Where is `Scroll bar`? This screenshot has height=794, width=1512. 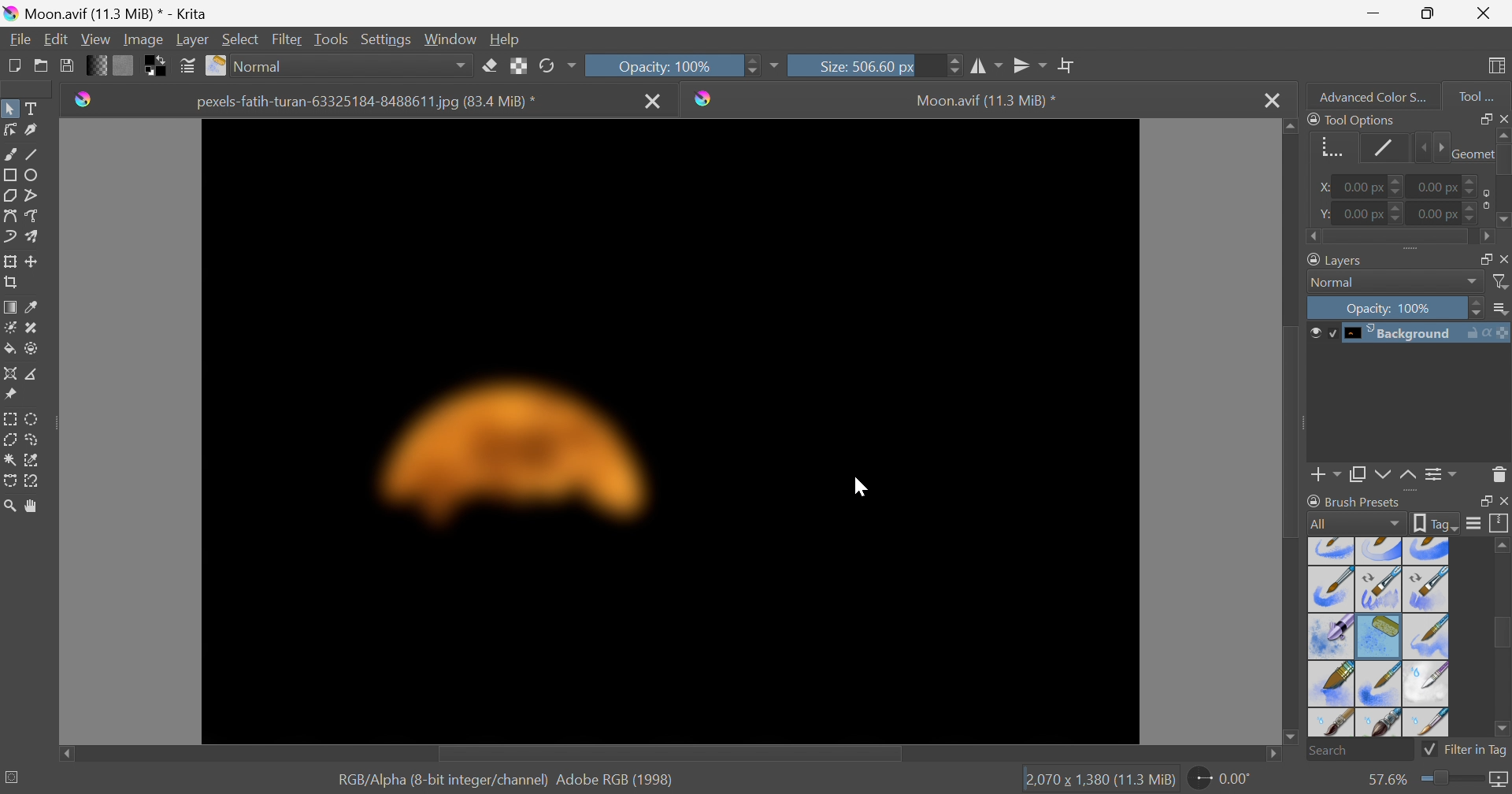
Scroll bar is located at coordinates (1293, 431).